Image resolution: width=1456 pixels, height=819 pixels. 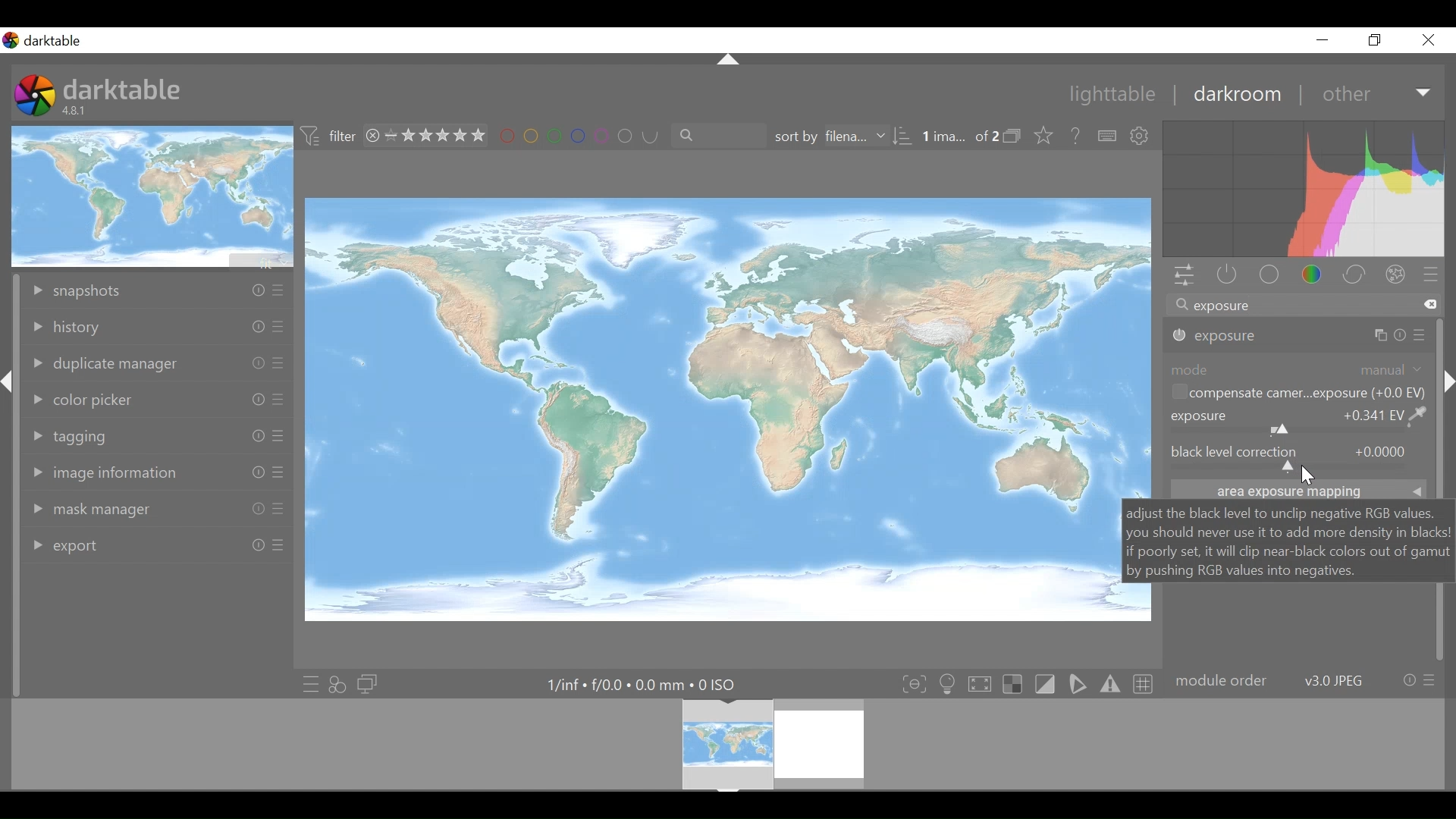 I want to click on mode, so click(x=1189, y=369).